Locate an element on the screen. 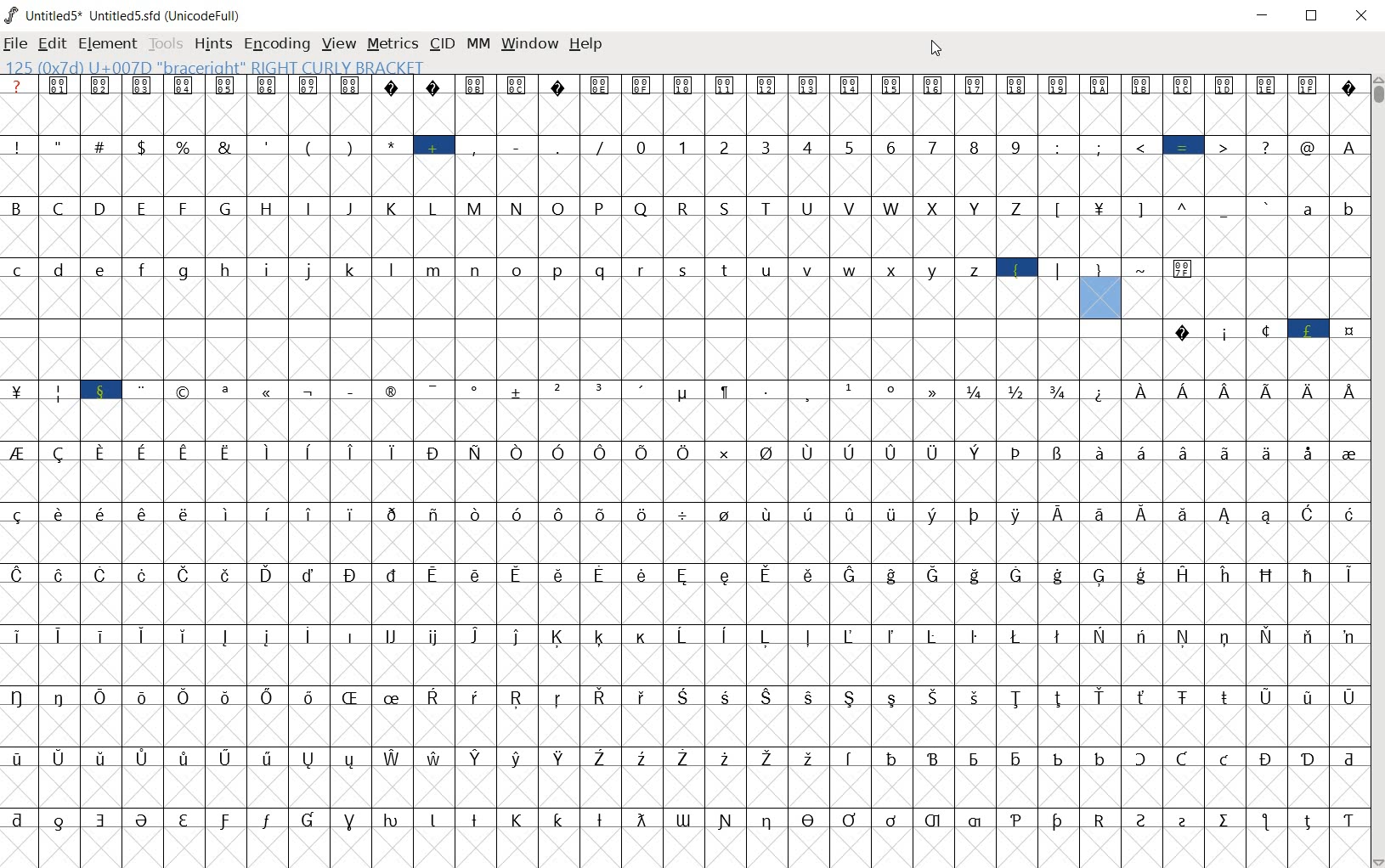 Image resolution: width=1385 pixels, height=868 pixels. Untitled5* Untitled5.sfd (UnicodeFull) is located at coordinates (125, 14).